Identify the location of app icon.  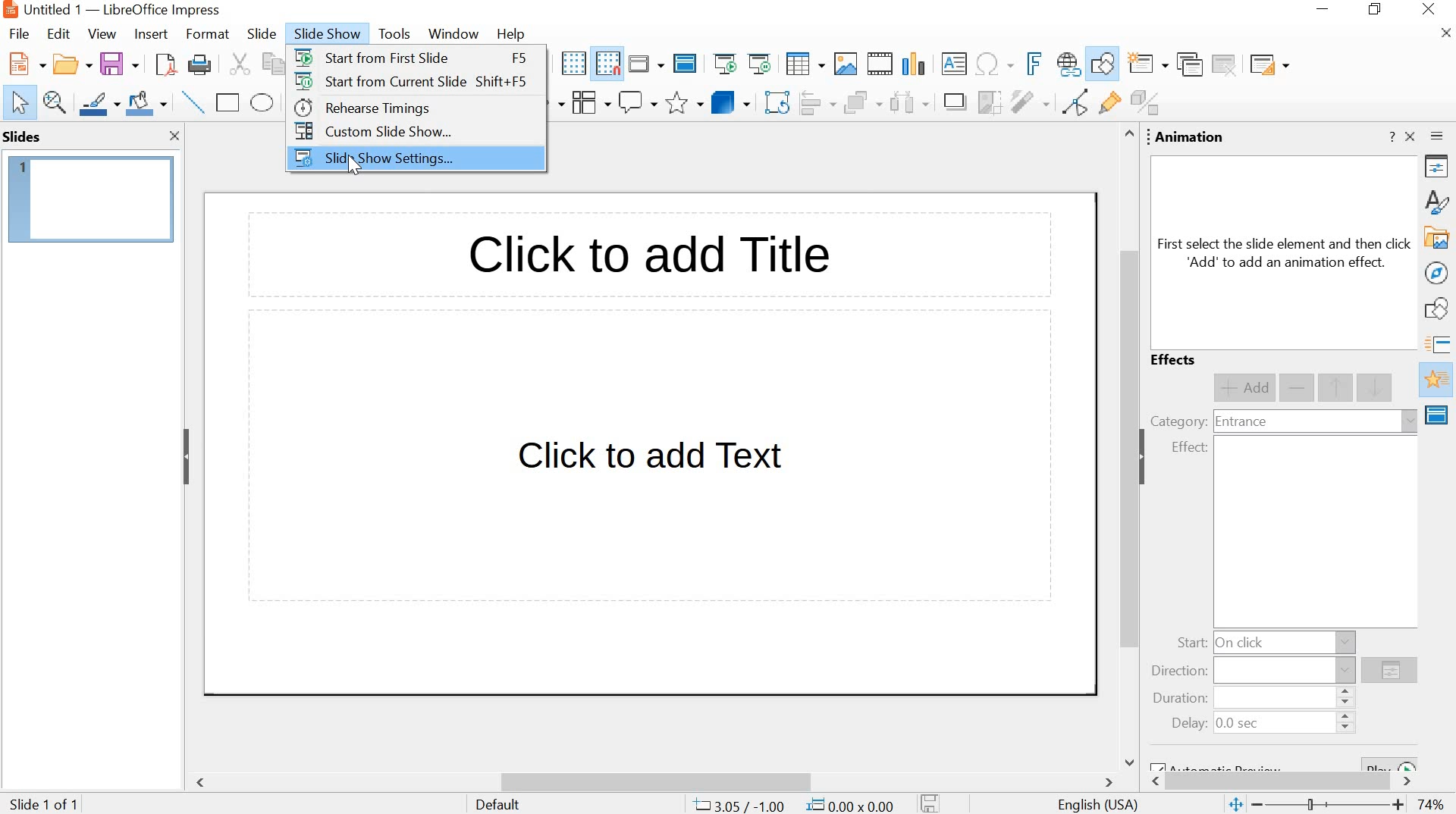
(9, 10).